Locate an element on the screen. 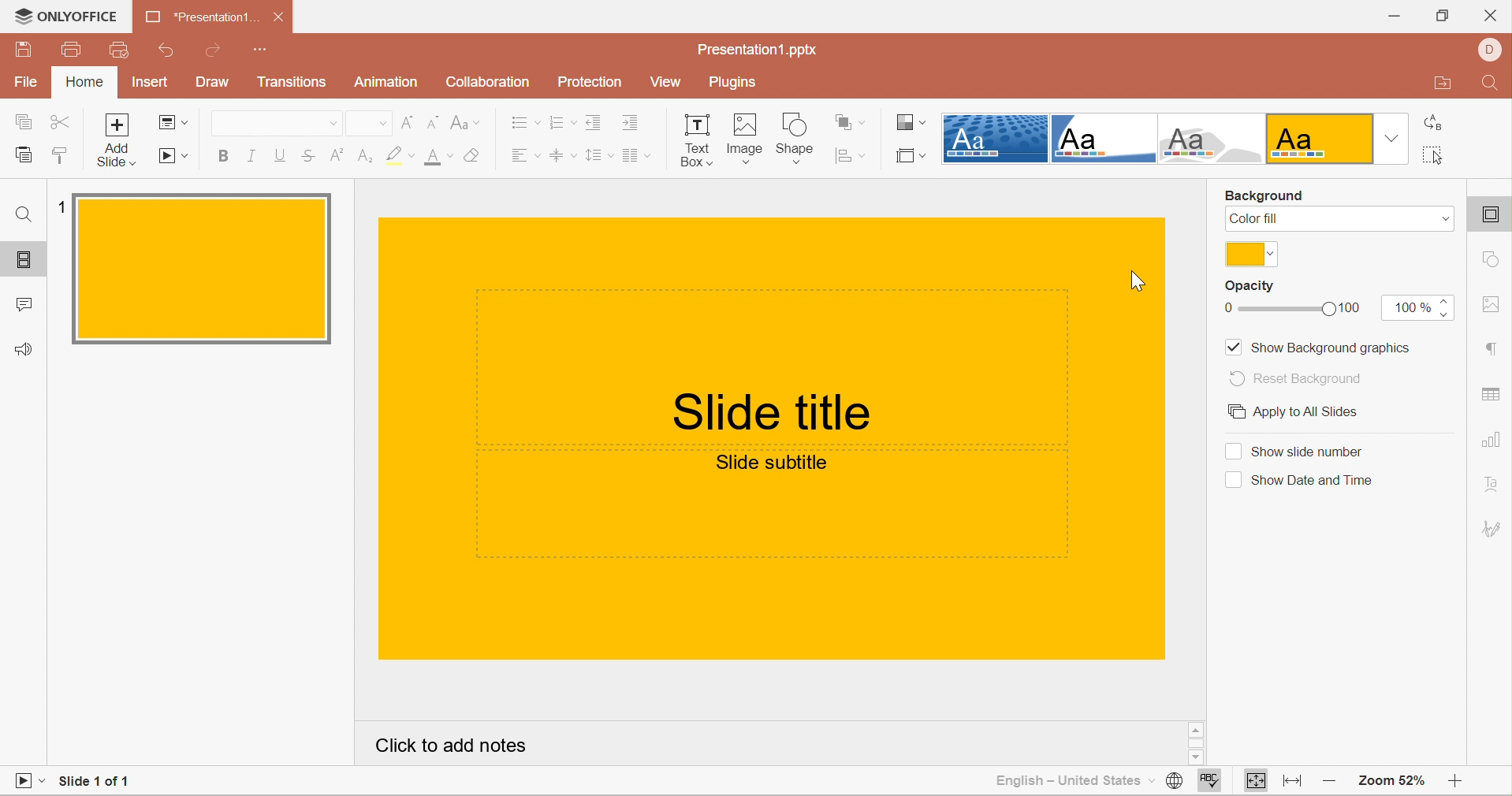 This screenshot has width=1512, height=796. Gold color is located at coordinates (1251, 254).